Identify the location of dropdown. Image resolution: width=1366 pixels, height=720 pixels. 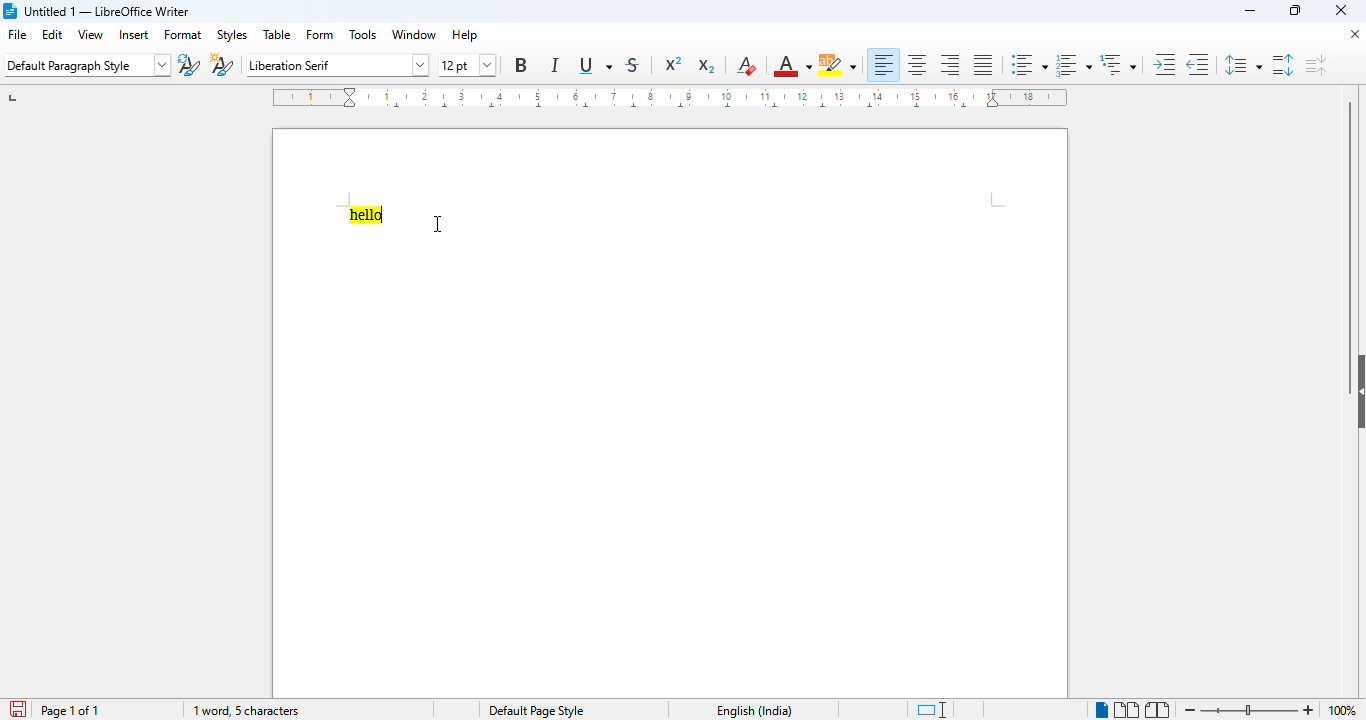
(490, 65).